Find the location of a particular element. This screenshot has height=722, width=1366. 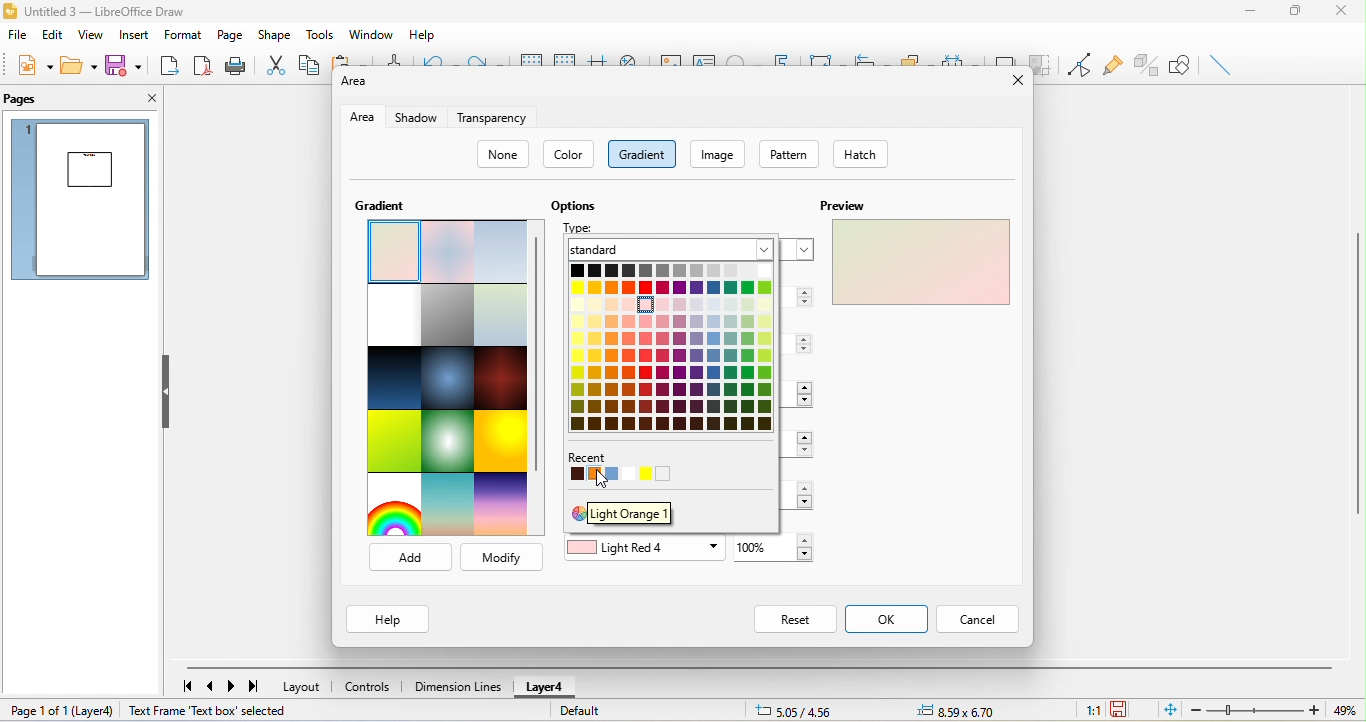

dimension line is located at coordinates (456, 685).